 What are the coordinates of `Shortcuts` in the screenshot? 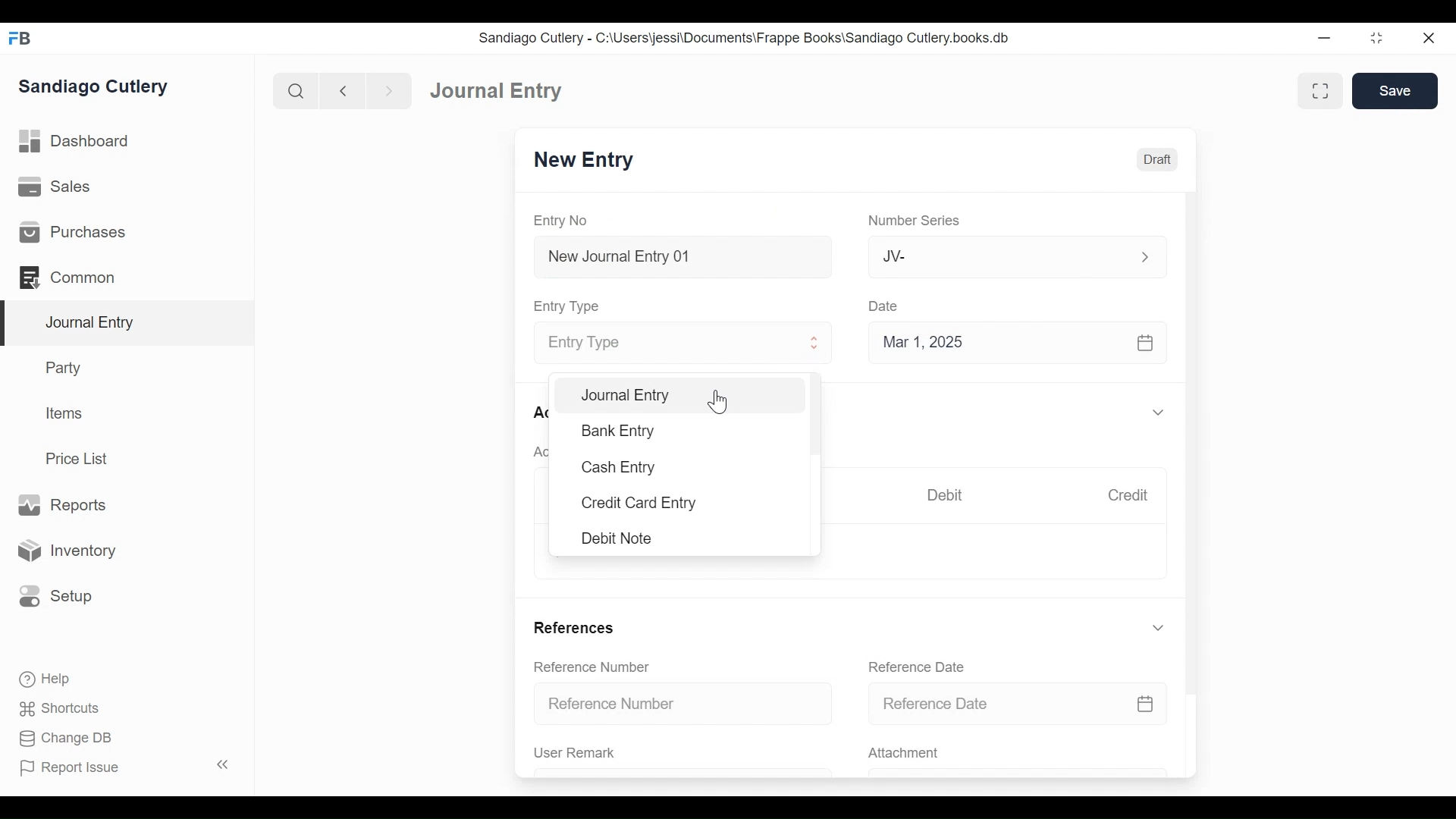 It's located at (52, 709).